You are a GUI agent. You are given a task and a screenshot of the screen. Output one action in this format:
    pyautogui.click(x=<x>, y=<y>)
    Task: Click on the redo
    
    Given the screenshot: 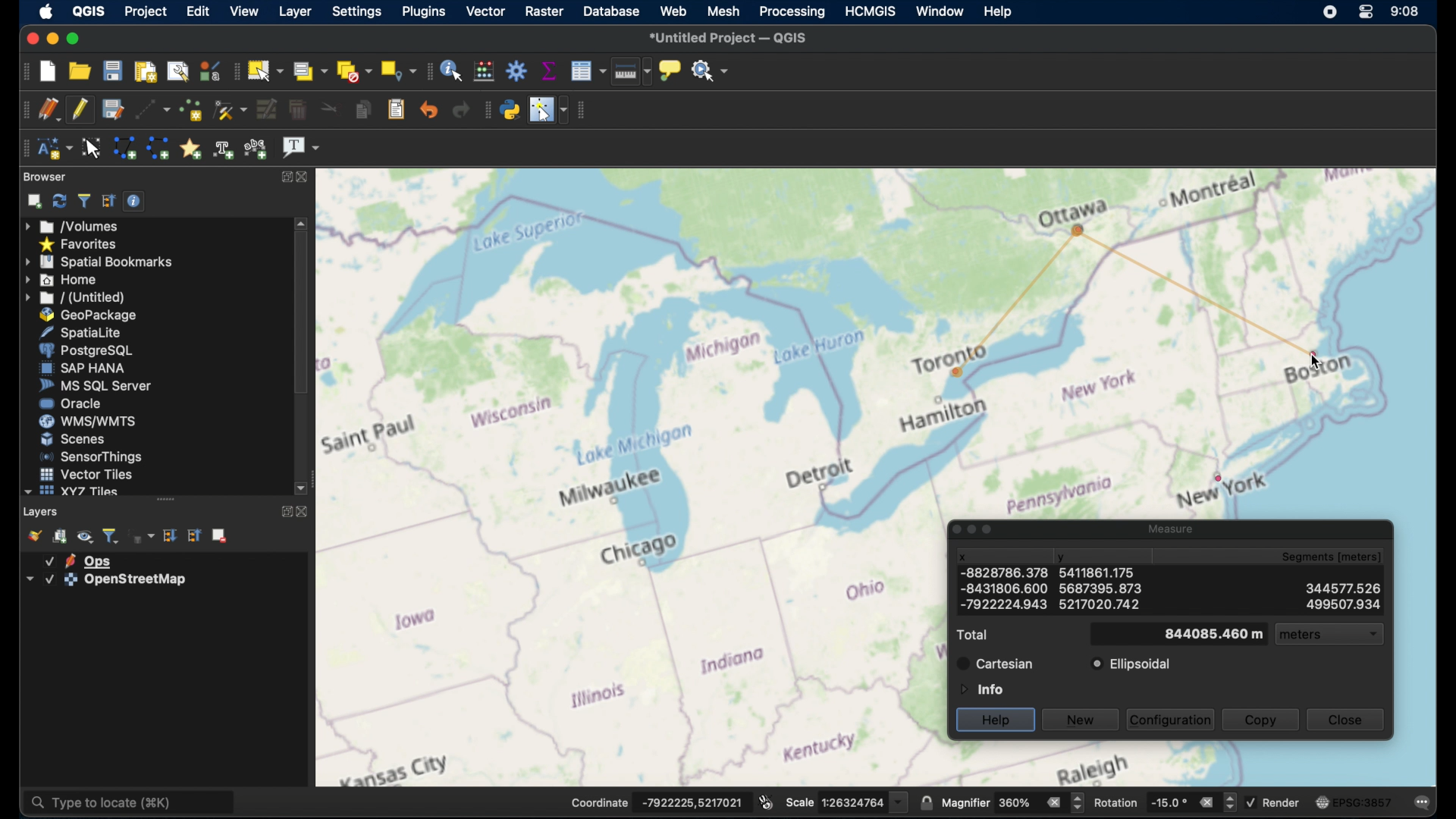 What is the action you would take?
    pyautogui.click(x=461, y=110)
    